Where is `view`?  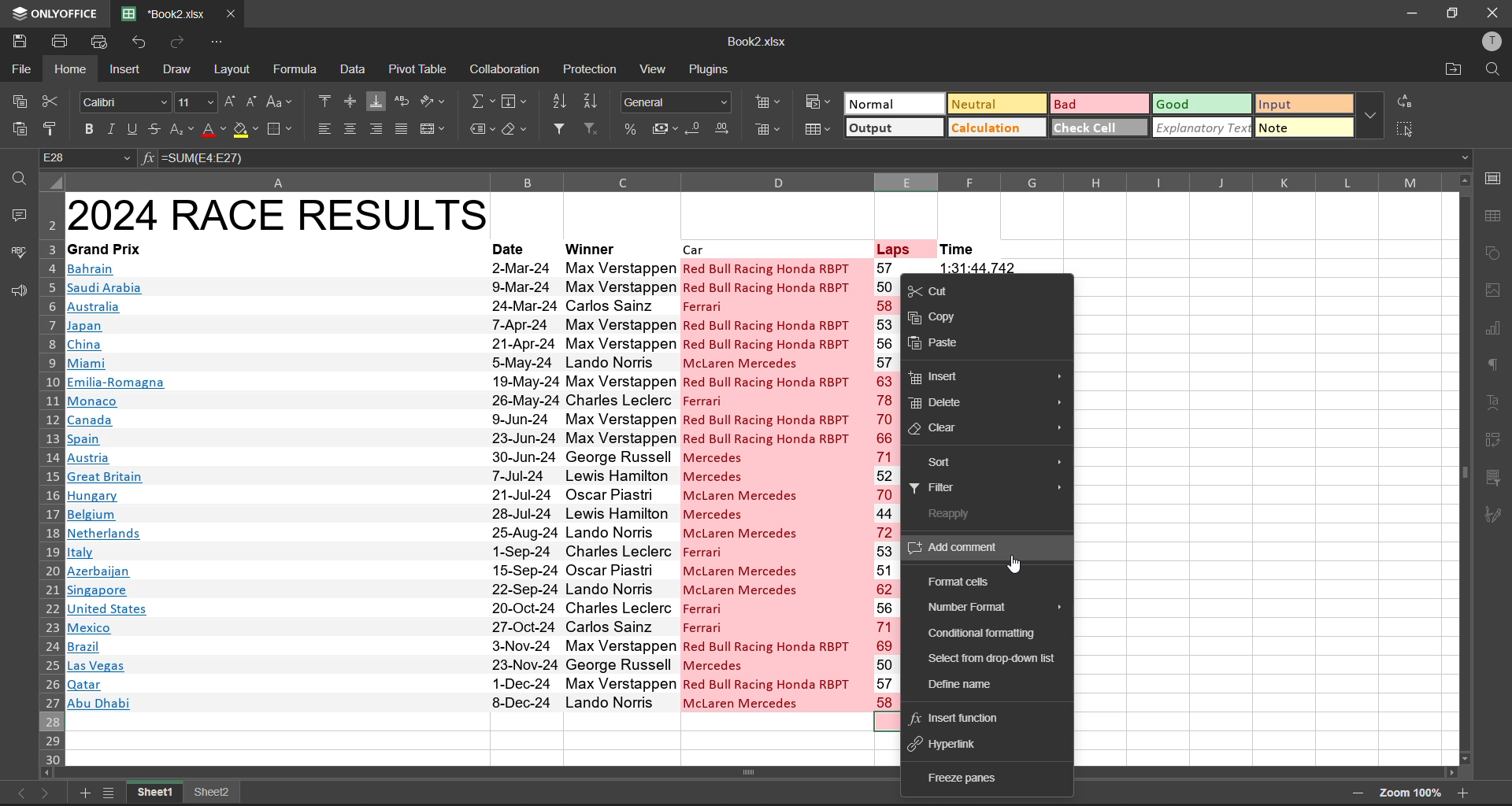
view is located at coordinates (656, 70).